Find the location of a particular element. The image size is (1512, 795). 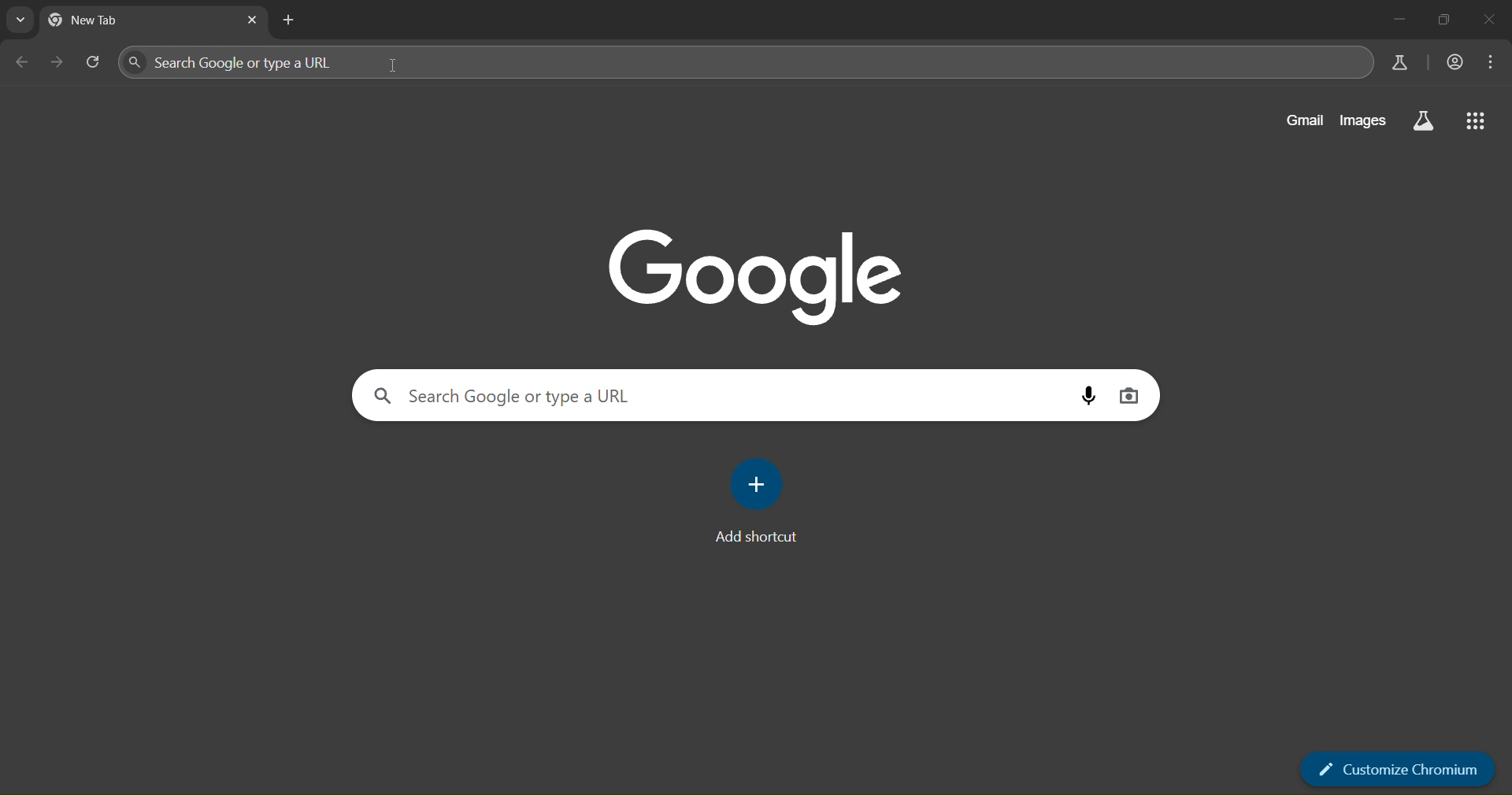

current tab is located at coordinates (122, 24).